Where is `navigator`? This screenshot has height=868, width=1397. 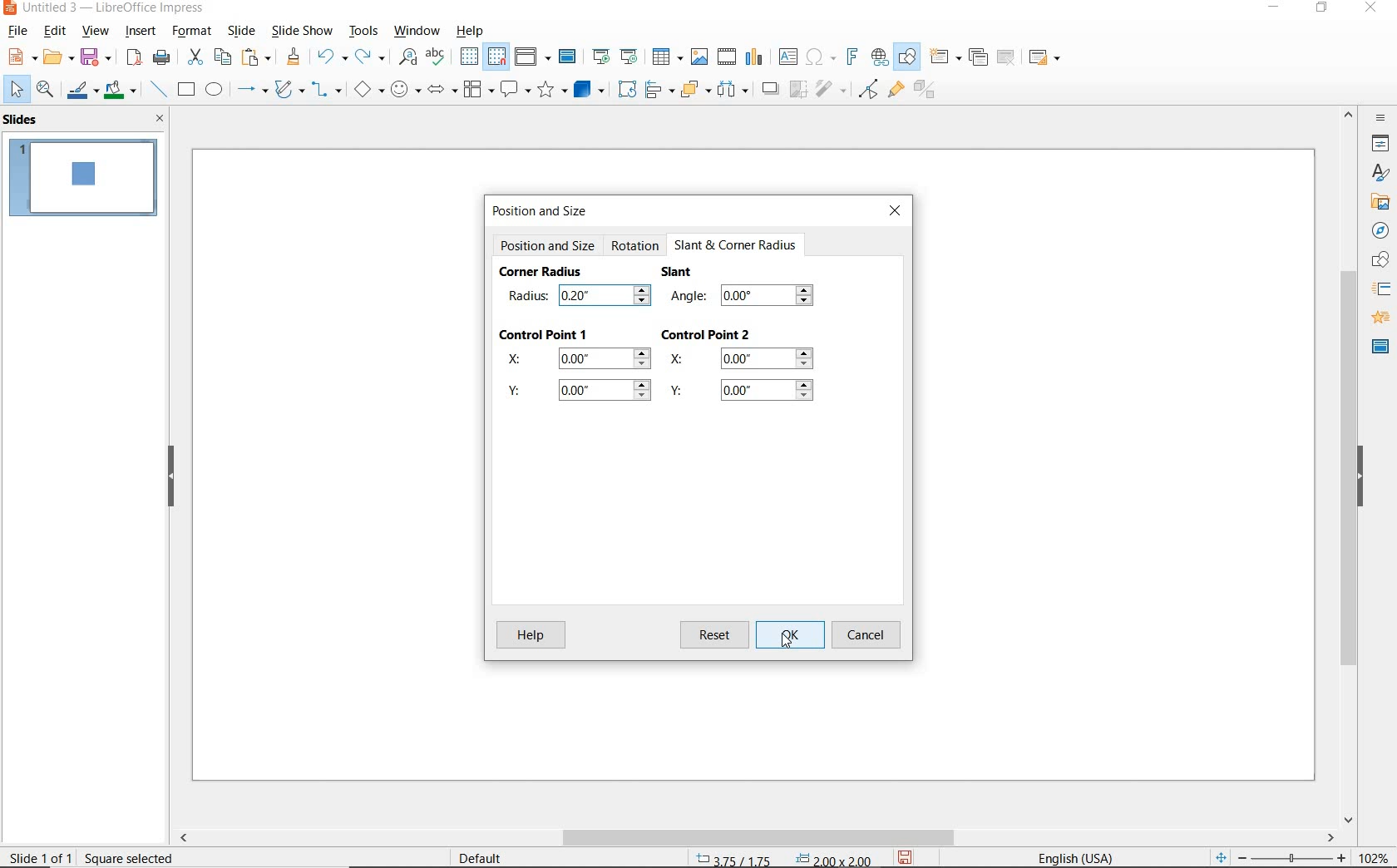
navigator is located at coordinates (1377, 230).